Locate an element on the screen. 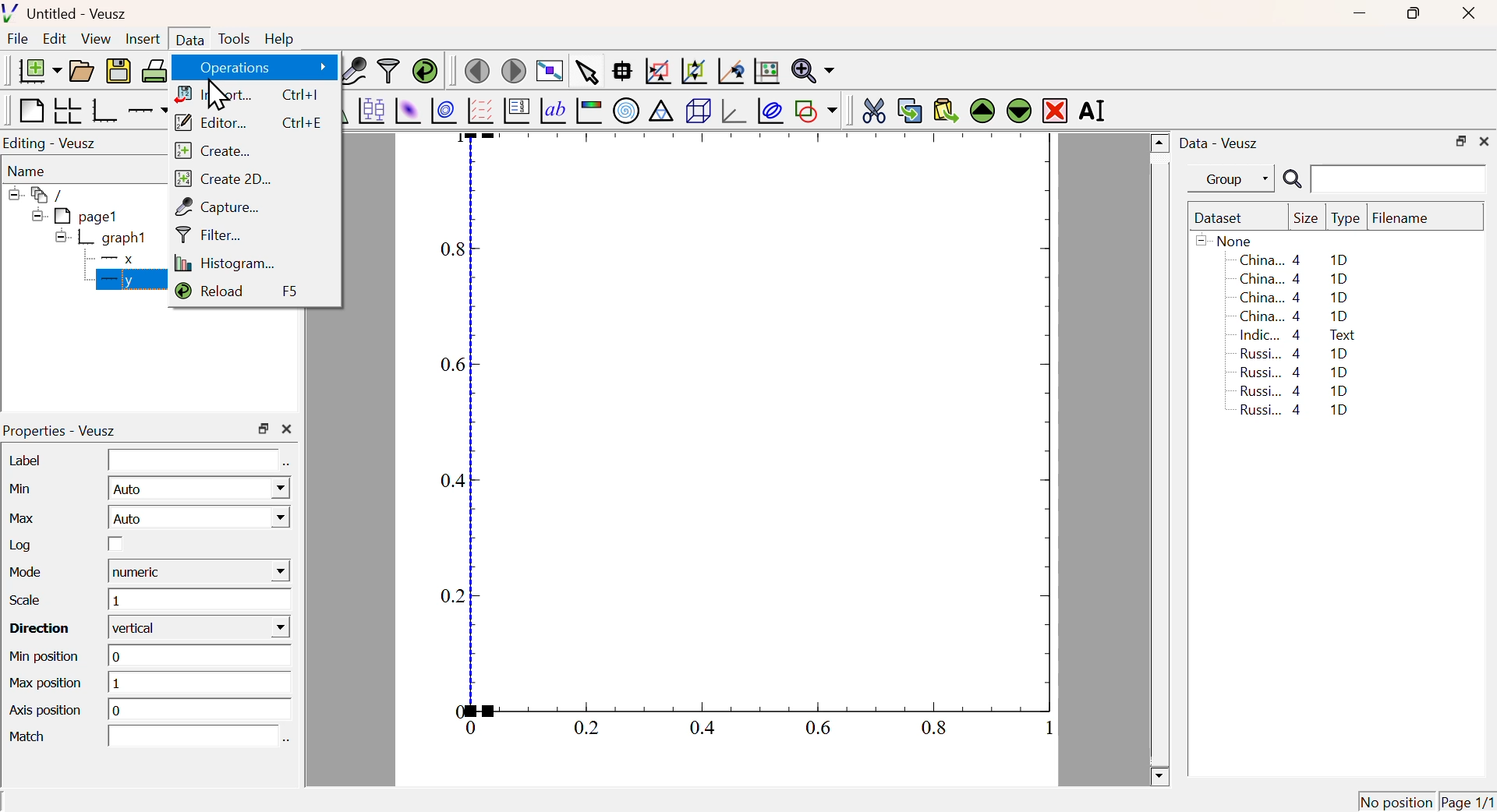 The height and width of the screenshot is (812, 1497). Plot Vector Field is located at coordinates (478, 110).